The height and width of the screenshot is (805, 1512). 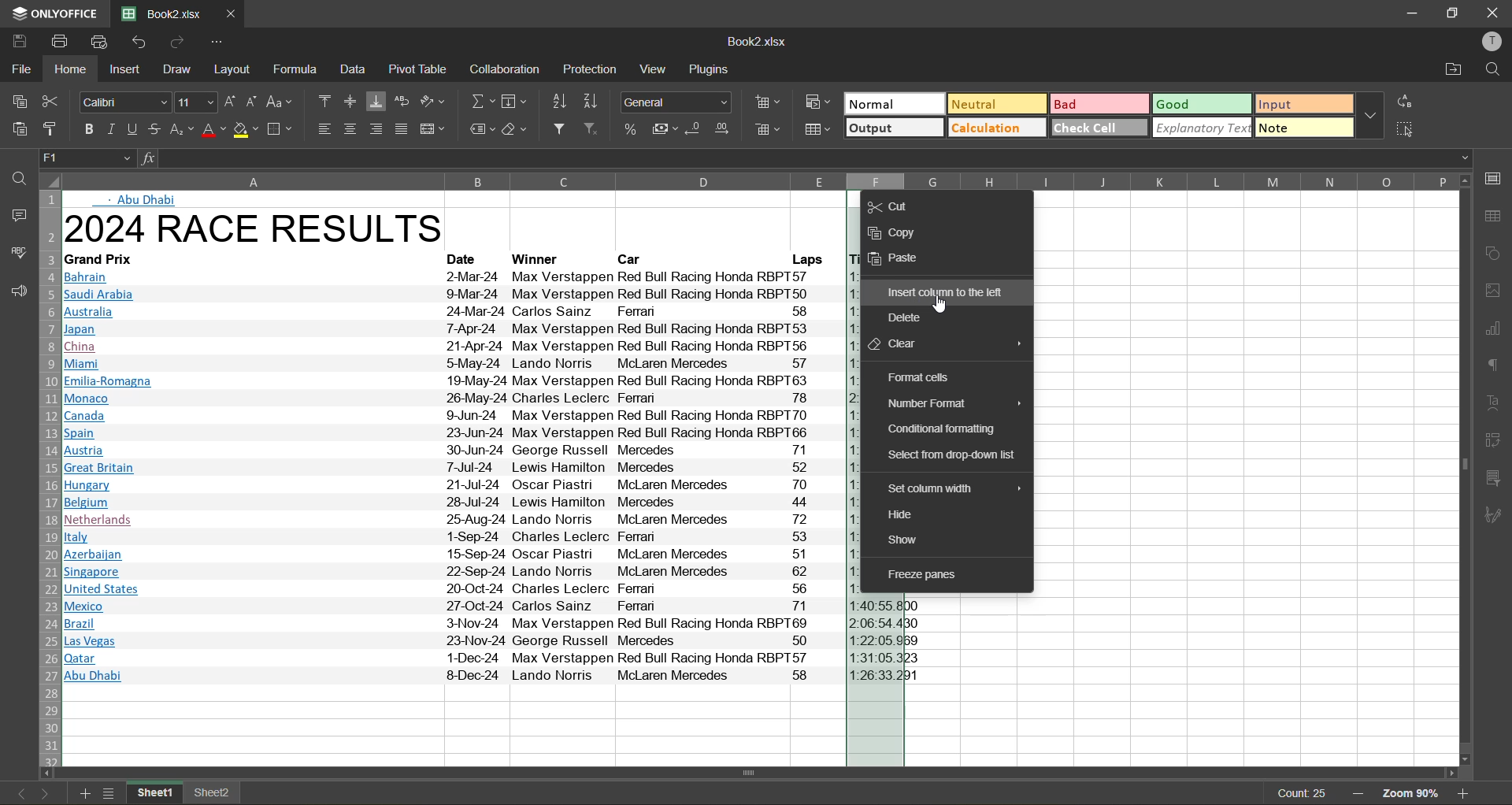 I want to click on plugins, so click(x=709, y=69).